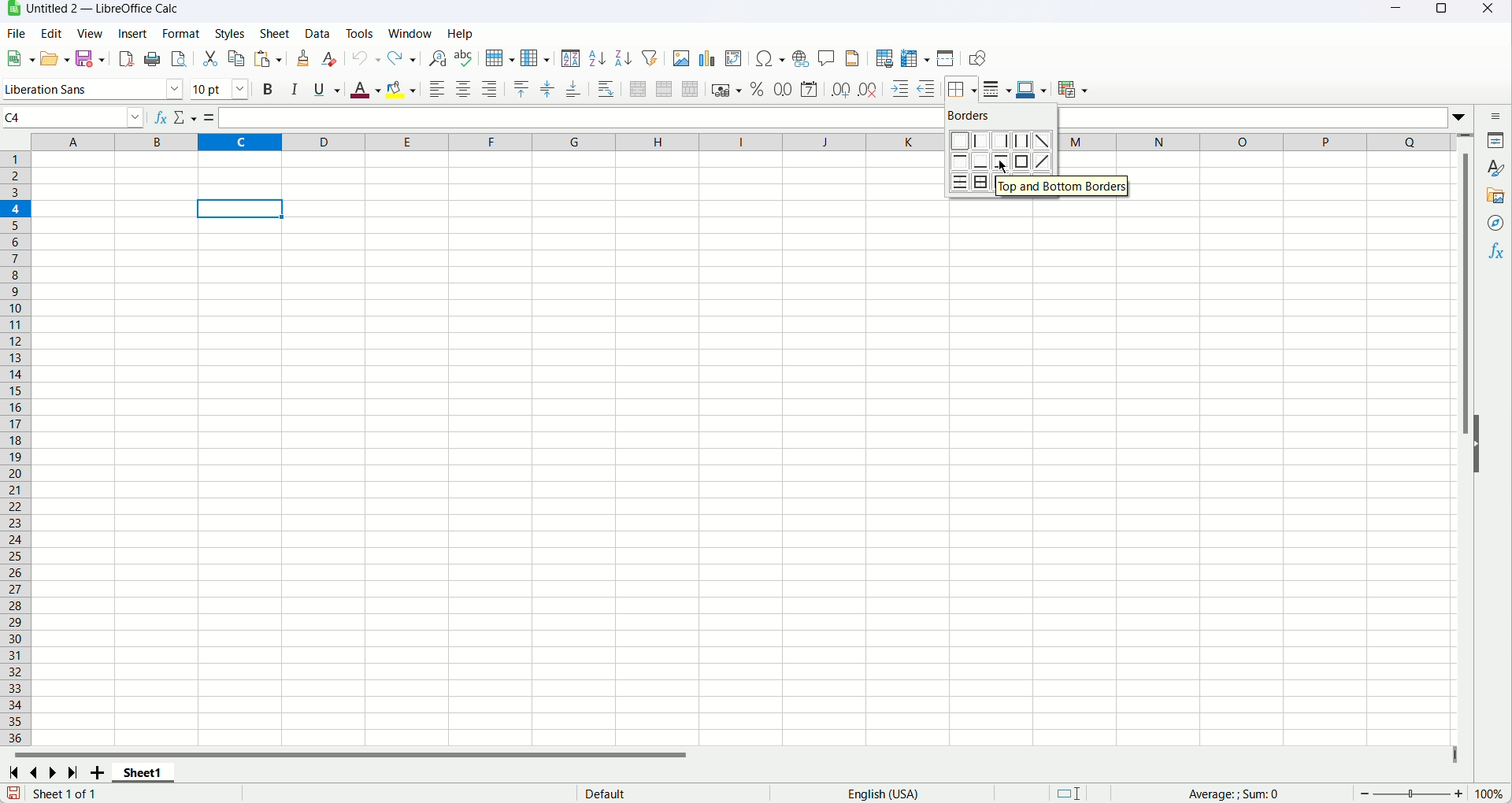 This screenshot has width=1512, height=803. Describe the element at coordinates (1075, 88) in the screenshot. I see `conditional` at that location.